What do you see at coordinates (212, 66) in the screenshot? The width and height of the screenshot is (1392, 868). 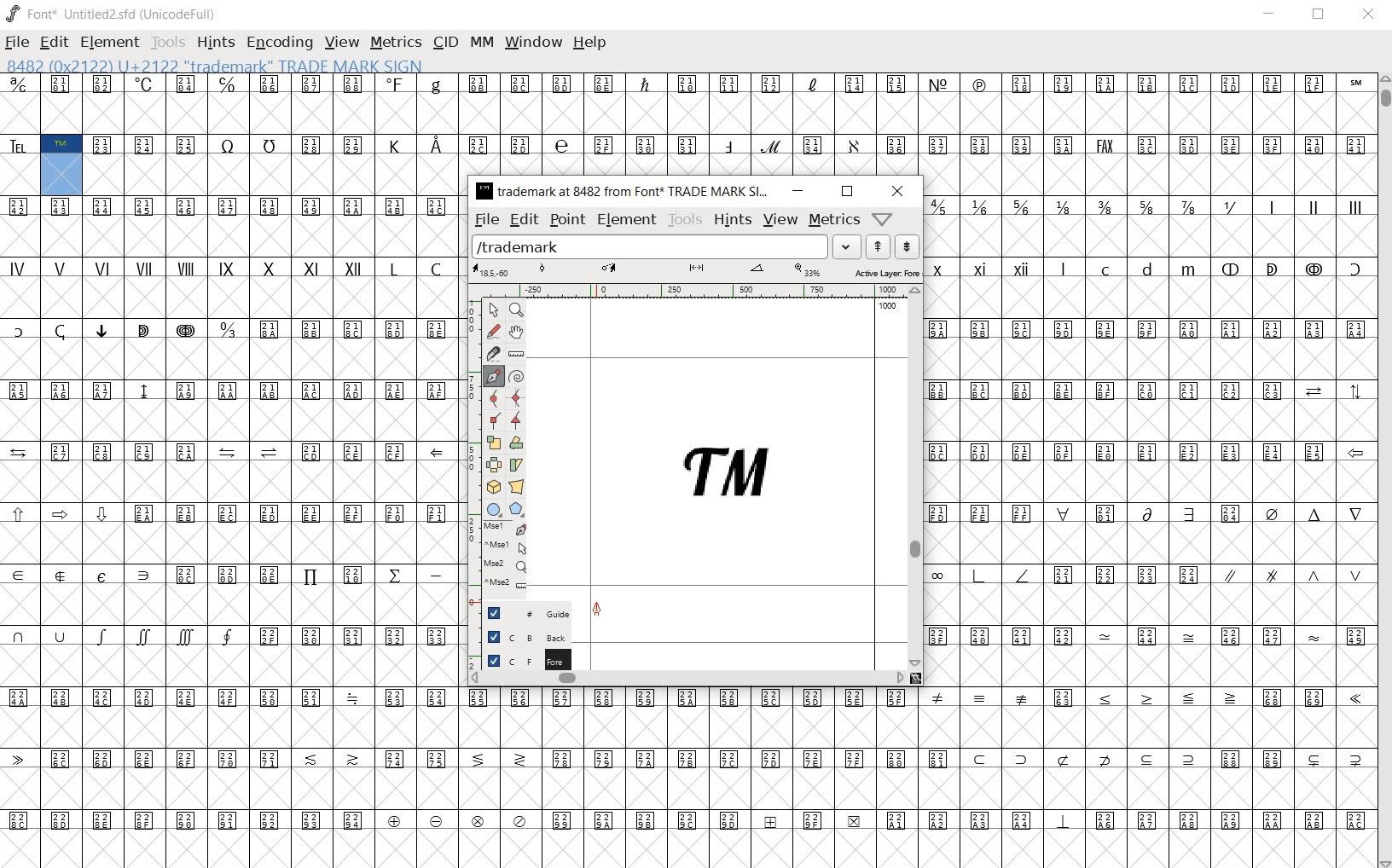 I see `8482 (0x2122) U+2122 "trademark" Trade Mark Sign` at bounding box center [212, 66].